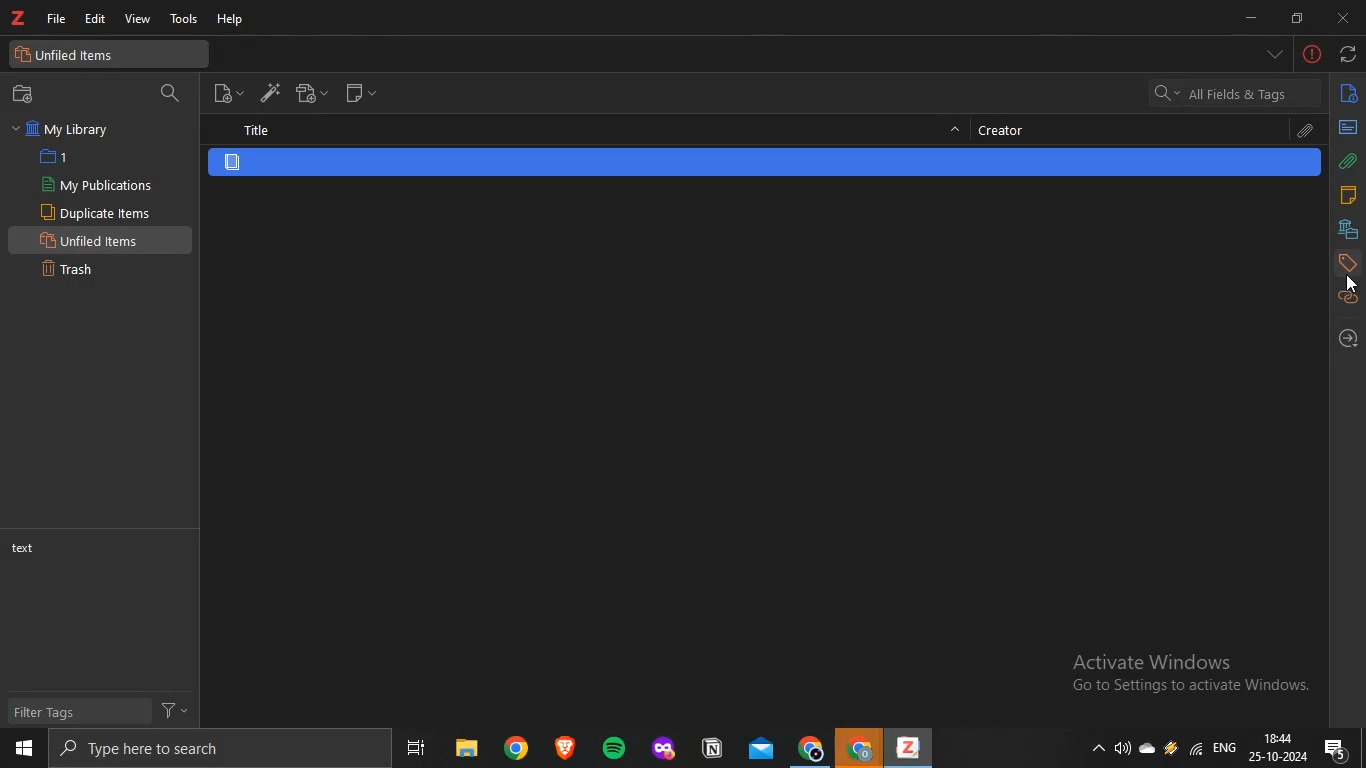 This screenshot has width=1366, height=768. I want to click on search, so click(211, 749).